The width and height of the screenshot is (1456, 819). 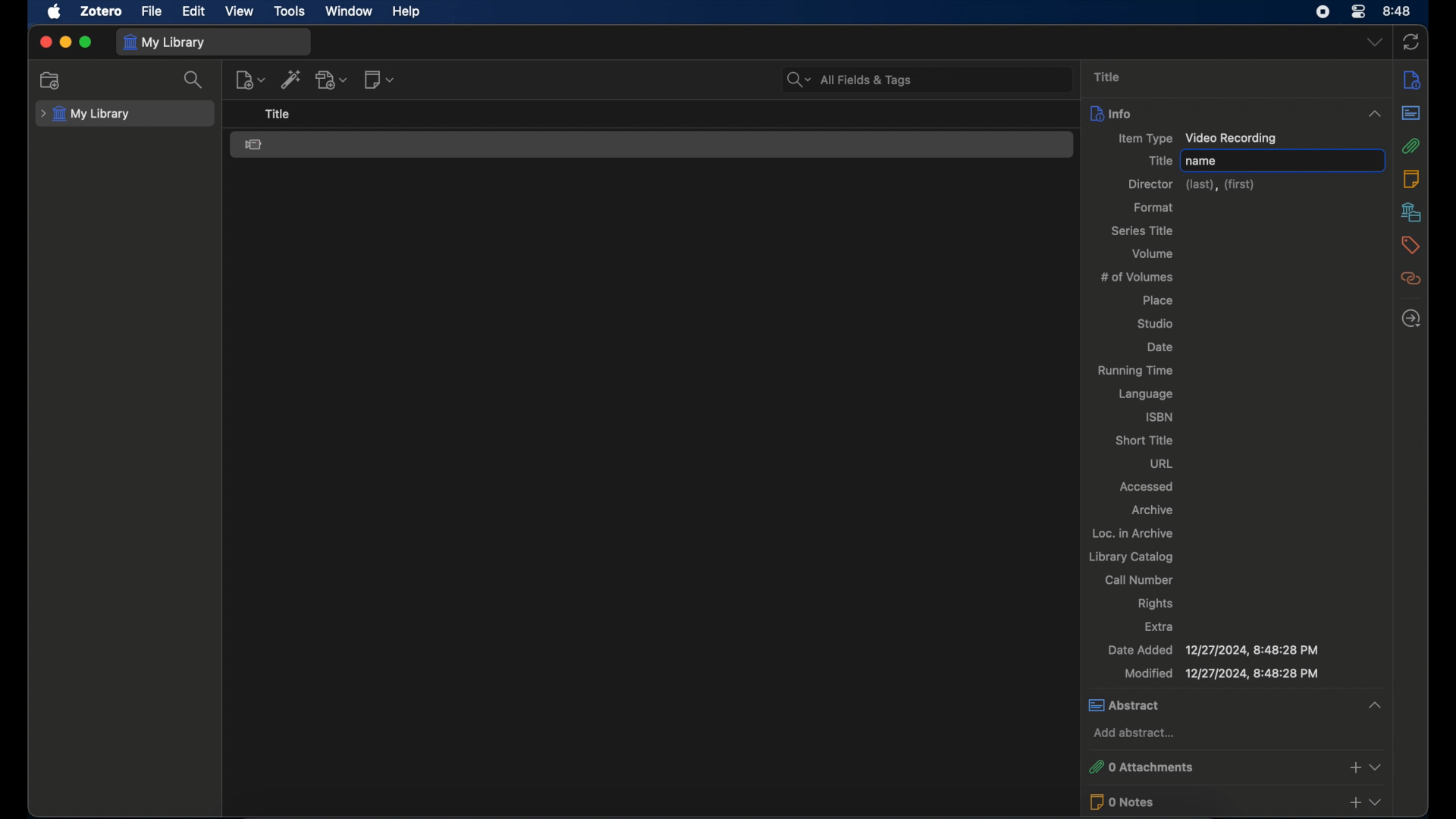 I want to click on related, so click(x=1411, y=279).